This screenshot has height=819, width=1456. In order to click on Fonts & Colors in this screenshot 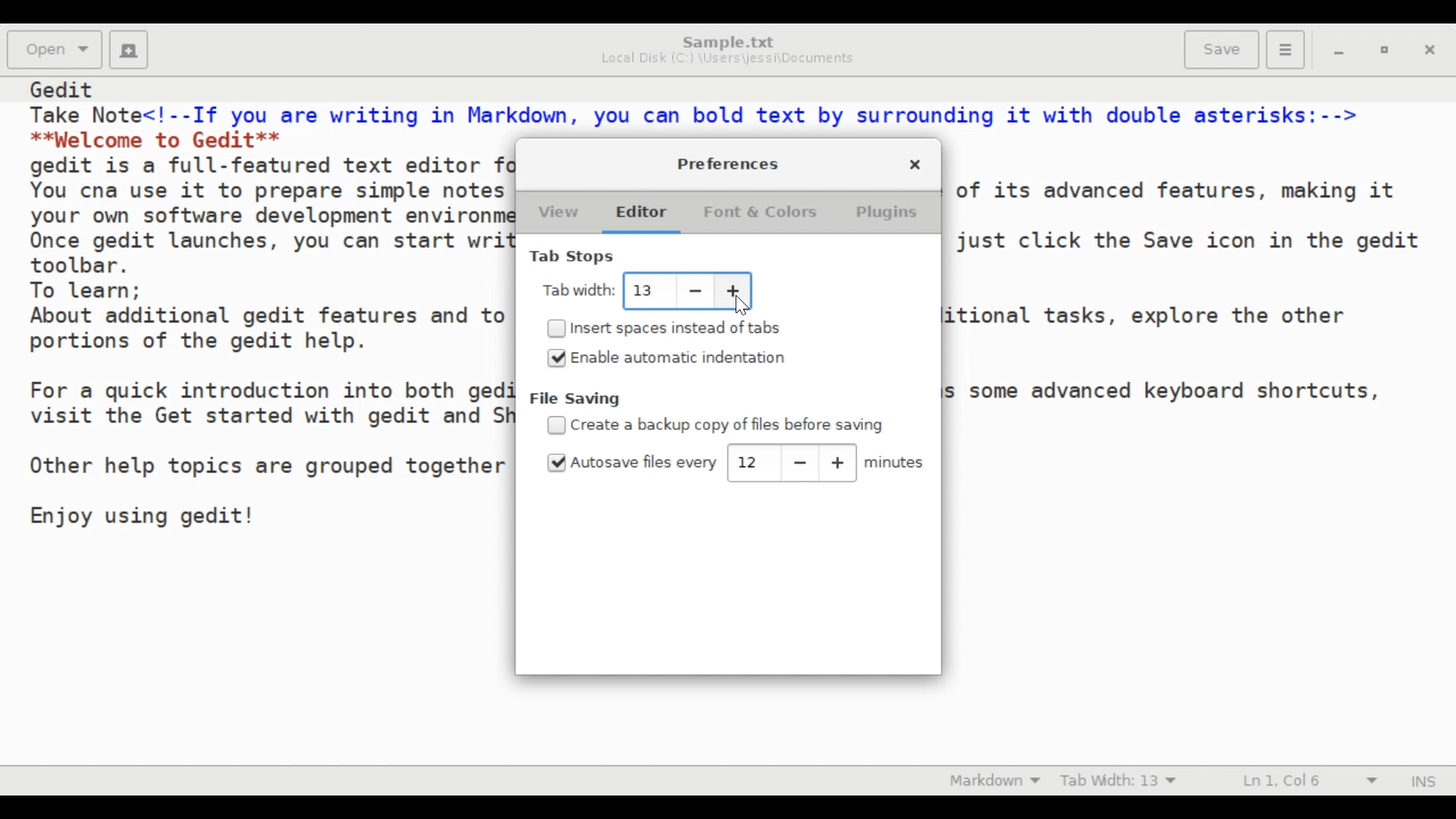, I will do `click(763, 214)`.